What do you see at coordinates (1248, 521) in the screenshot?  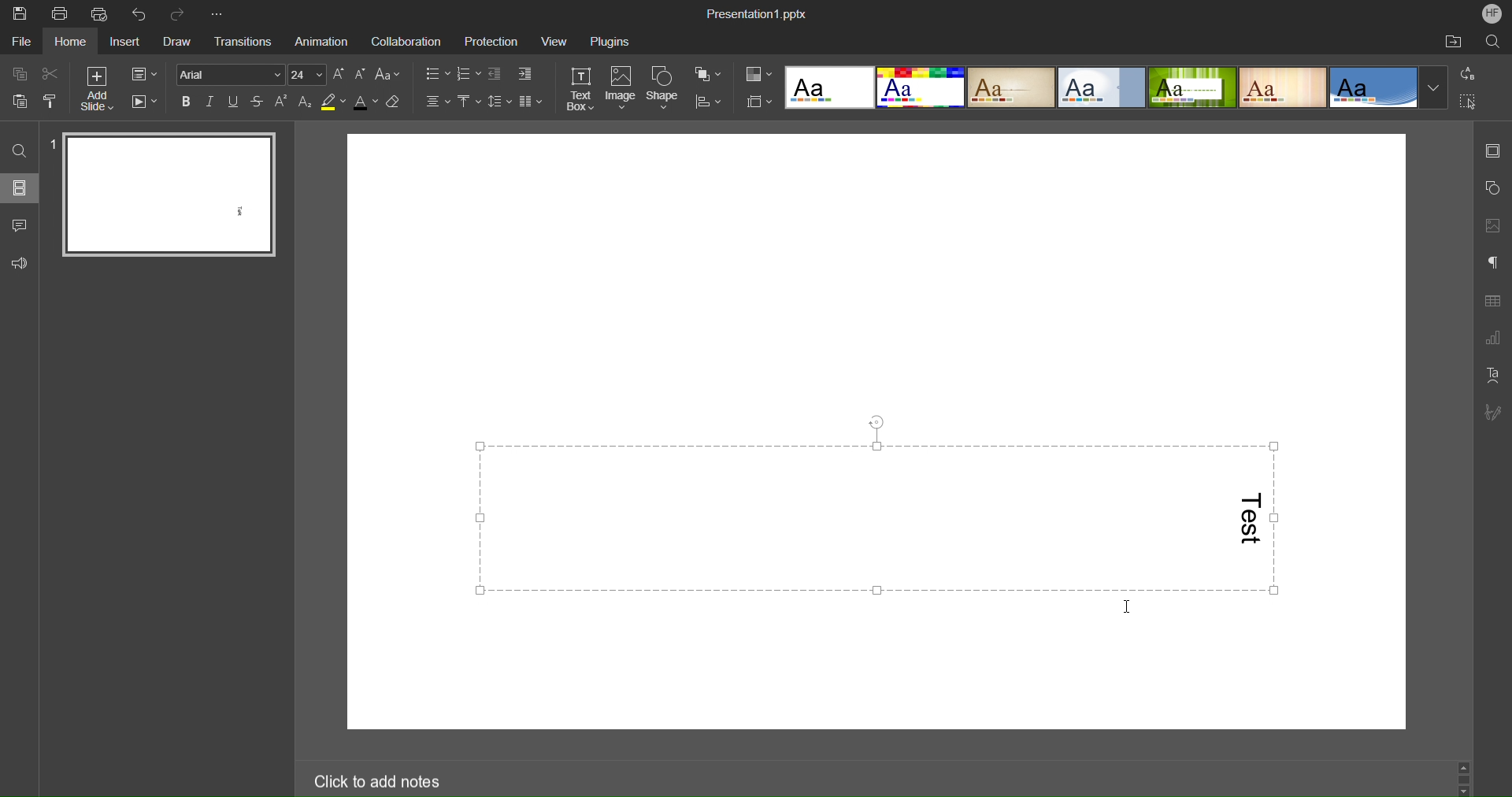 I see `Rotated Text` at bounding box center [1248, 521].